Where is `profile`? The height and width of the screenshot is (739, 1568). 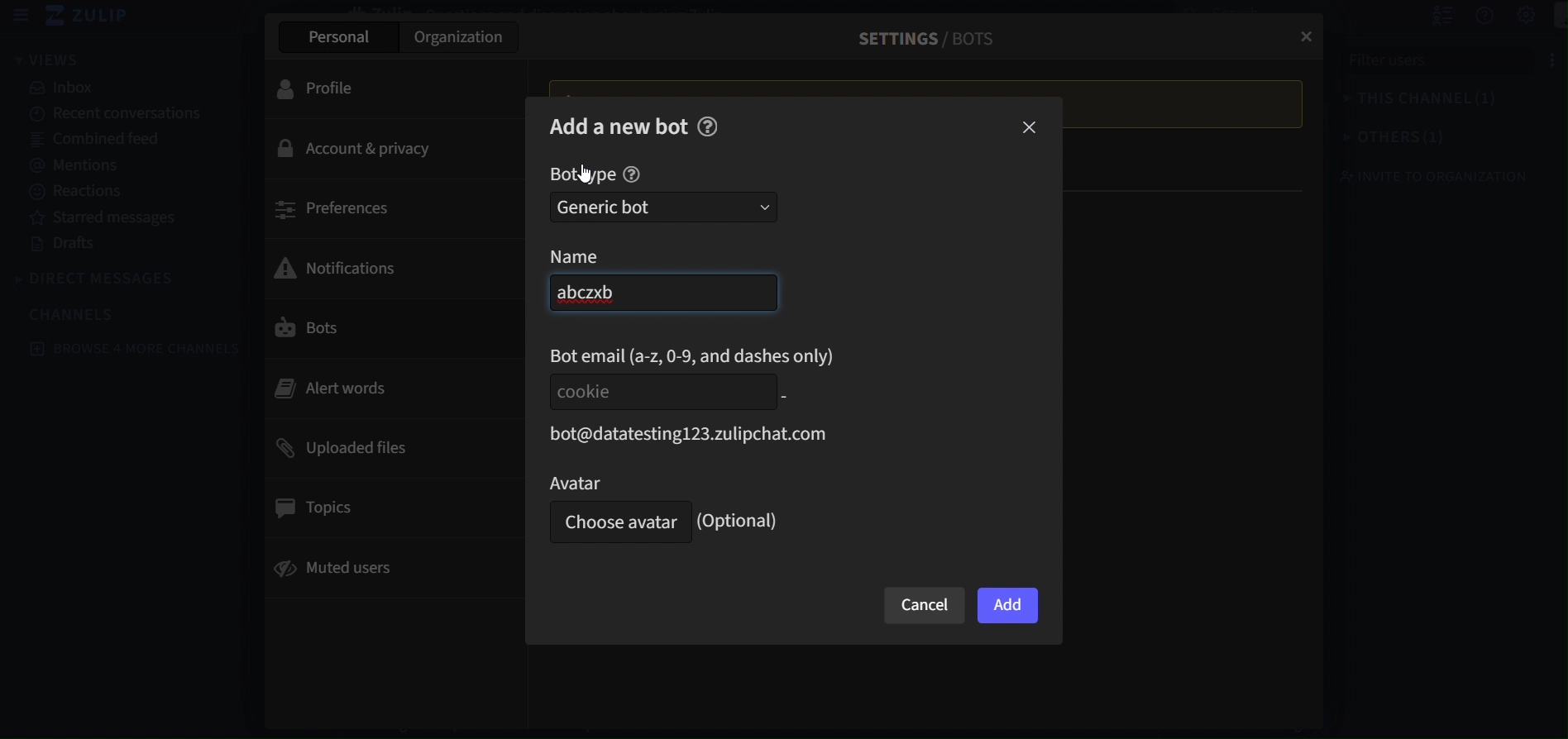 profile is located at coordinates (386, 87).